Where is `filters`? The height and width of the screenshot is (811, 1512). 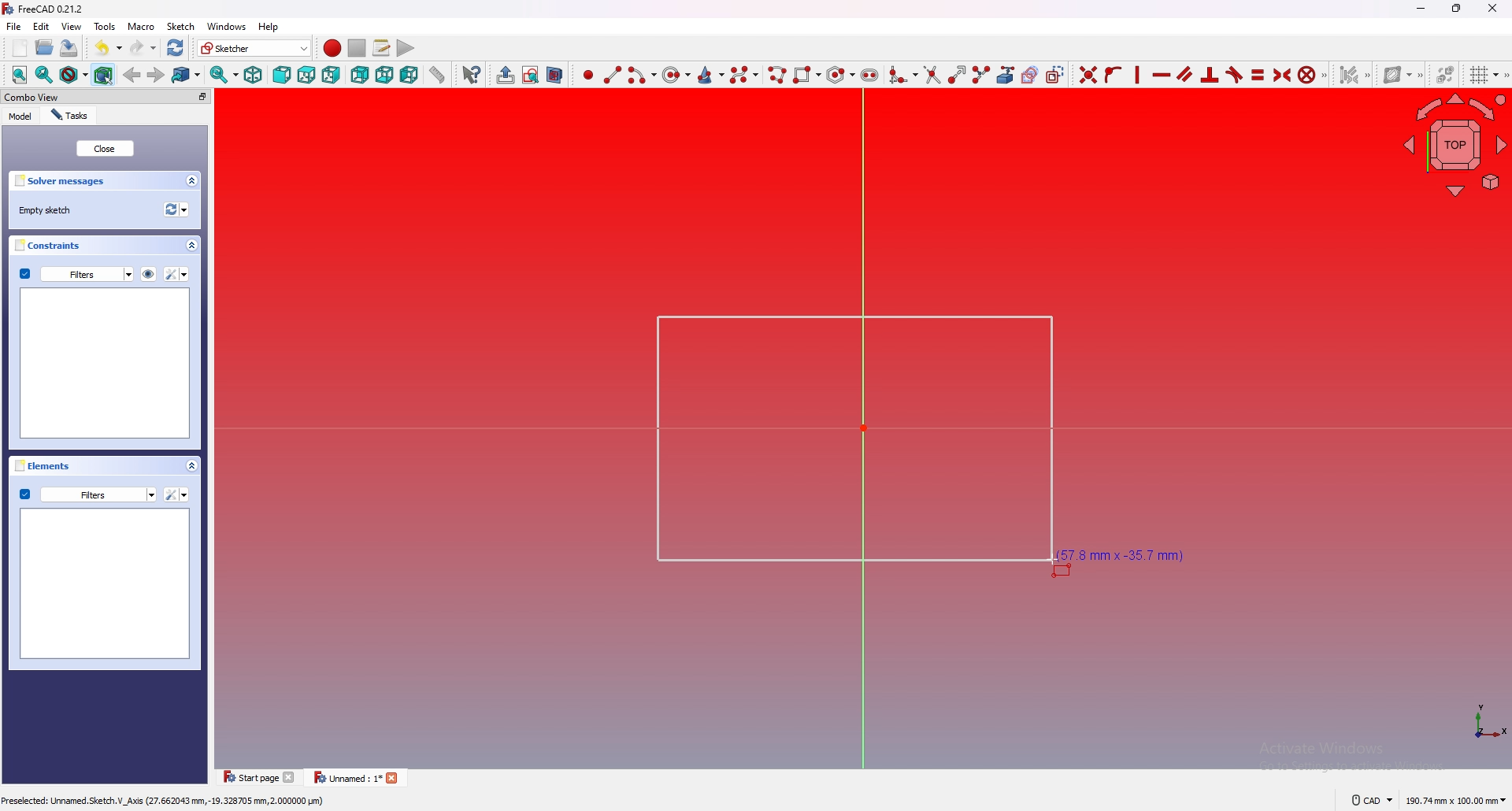
filters is located at coordinates (87, 494).